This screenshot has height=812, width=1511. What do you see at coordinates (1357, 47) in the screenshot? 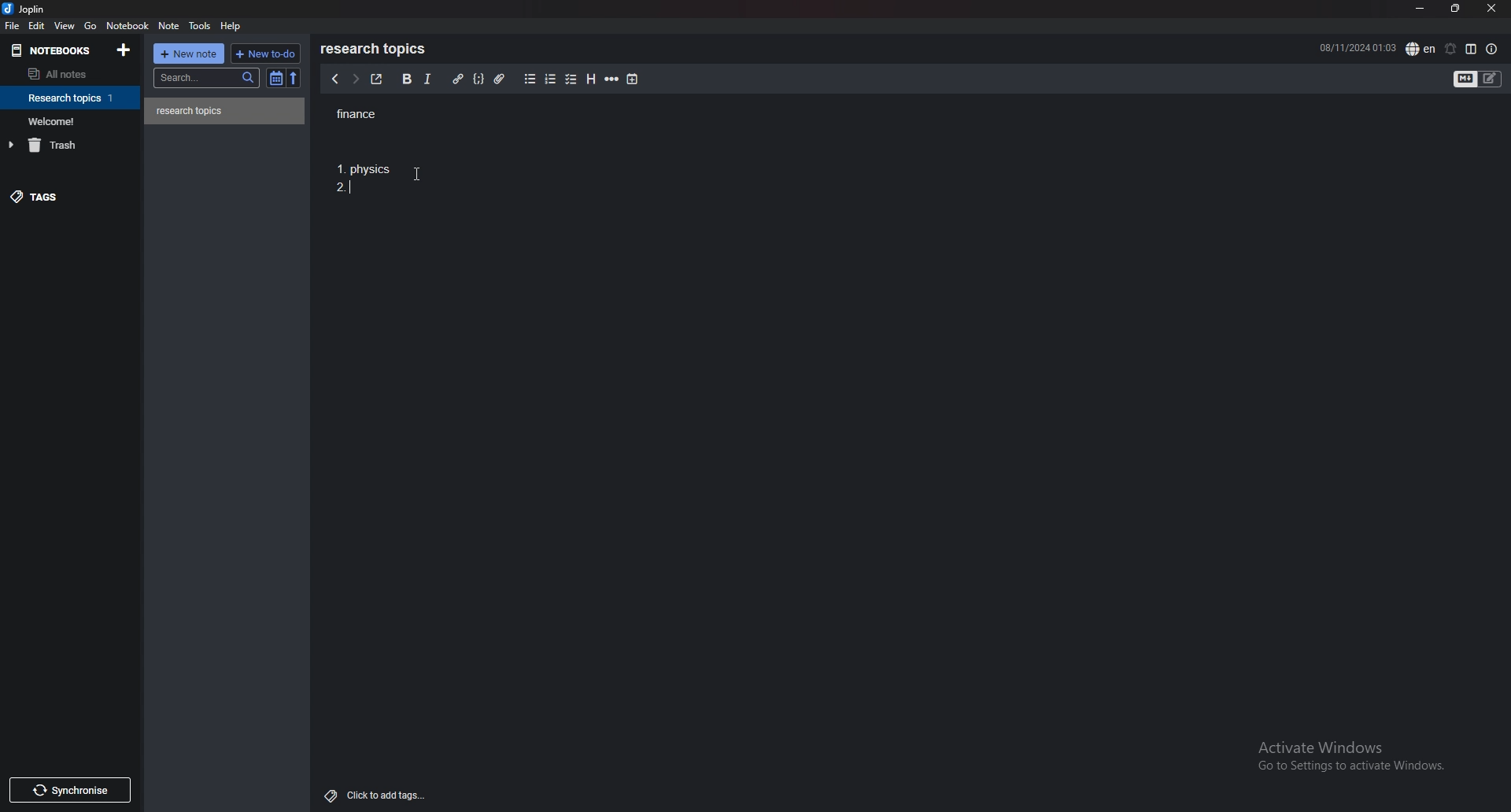
I see `08/11/2024 01:02` at bounding box center [1357, 47].